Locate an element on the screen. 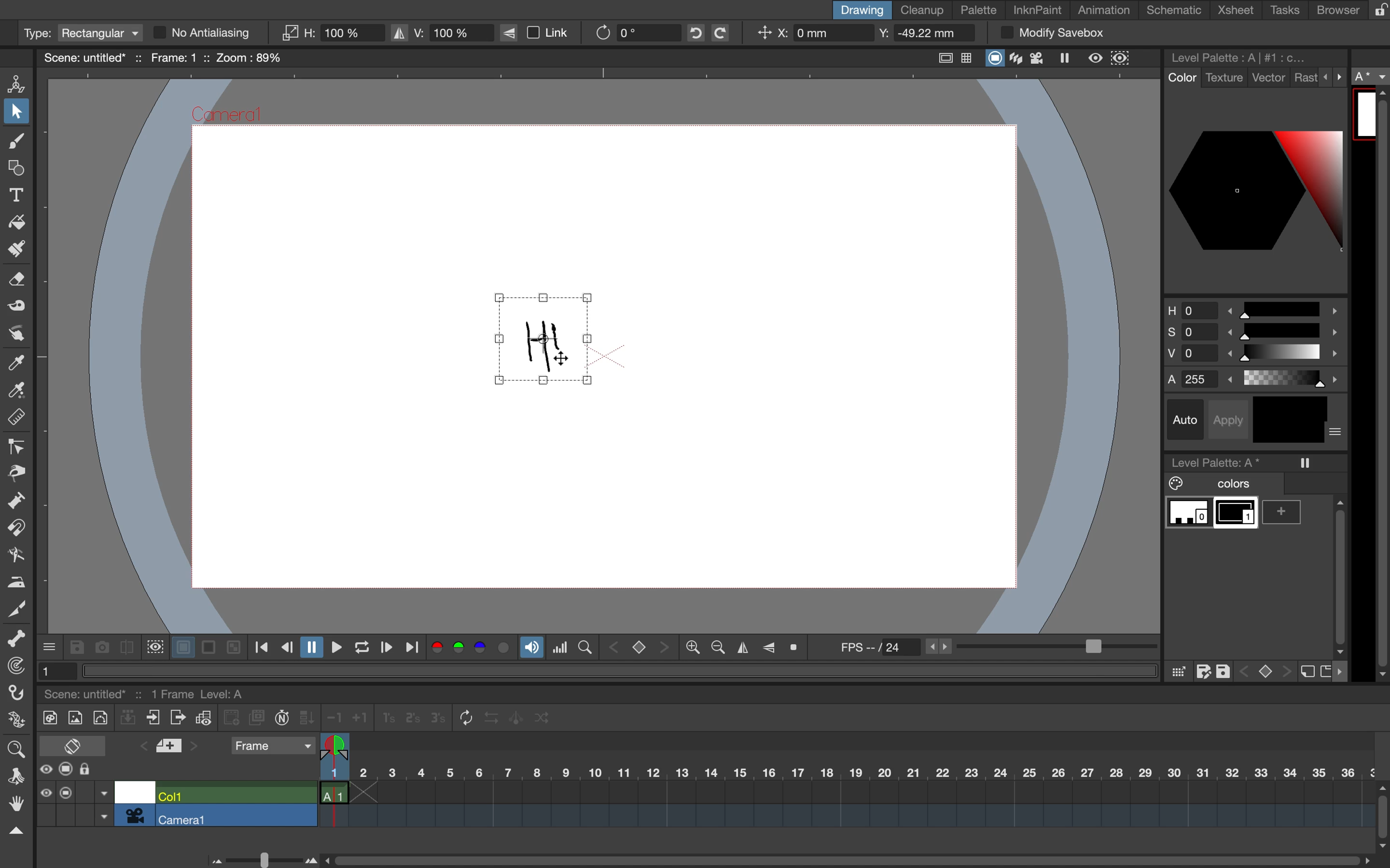  style picker tool is located at coordinates (17, 363).